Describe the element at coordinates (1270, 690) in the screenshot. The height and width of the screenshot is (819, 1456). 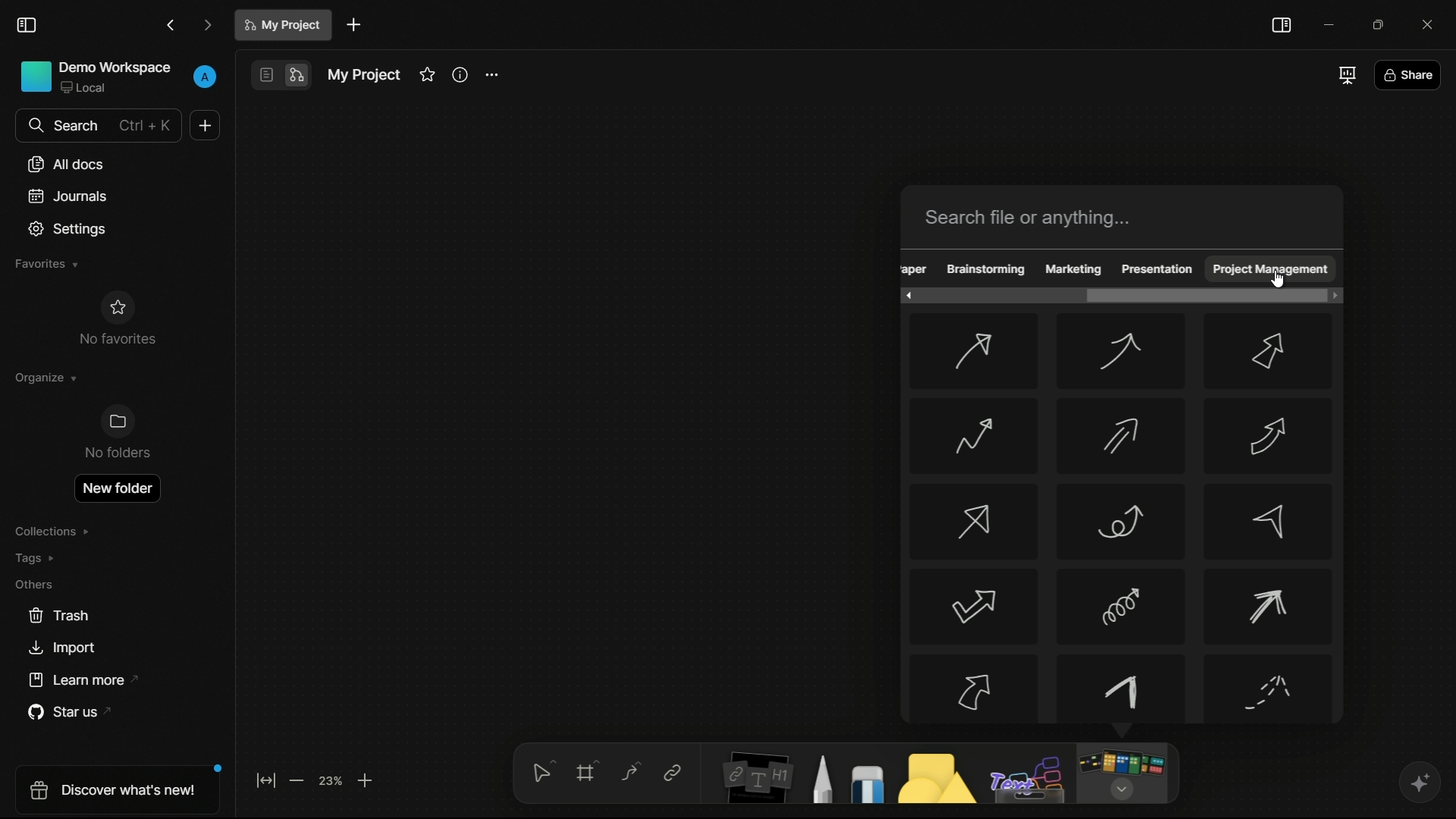
I see `arrow-15` at that location.